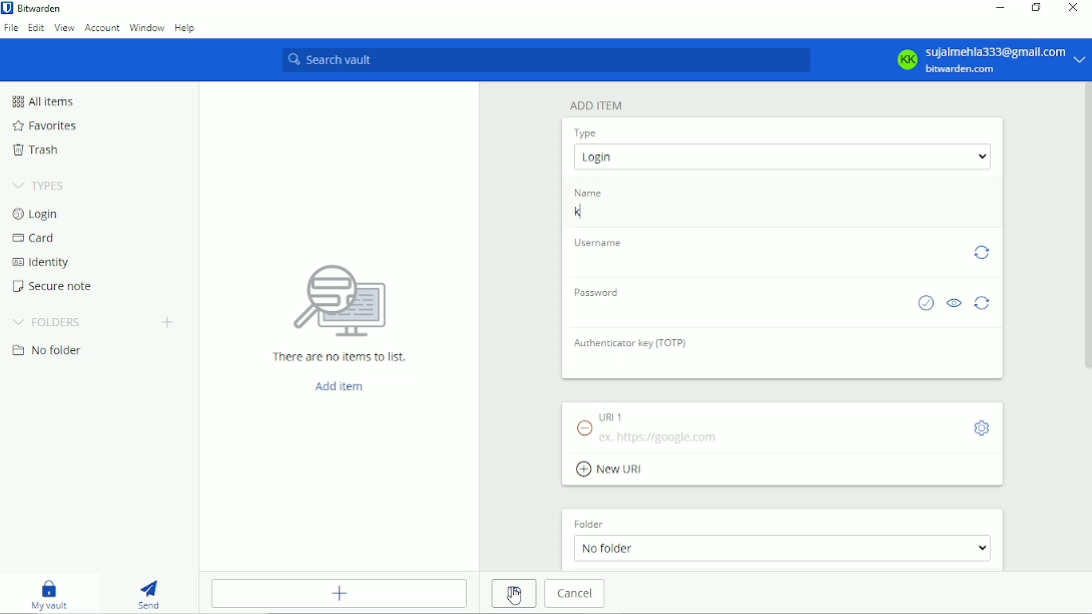 The image size is (1092, 614). Describe the element at coordinates (591, 524) in the screenshot. I see `folder` at that location.